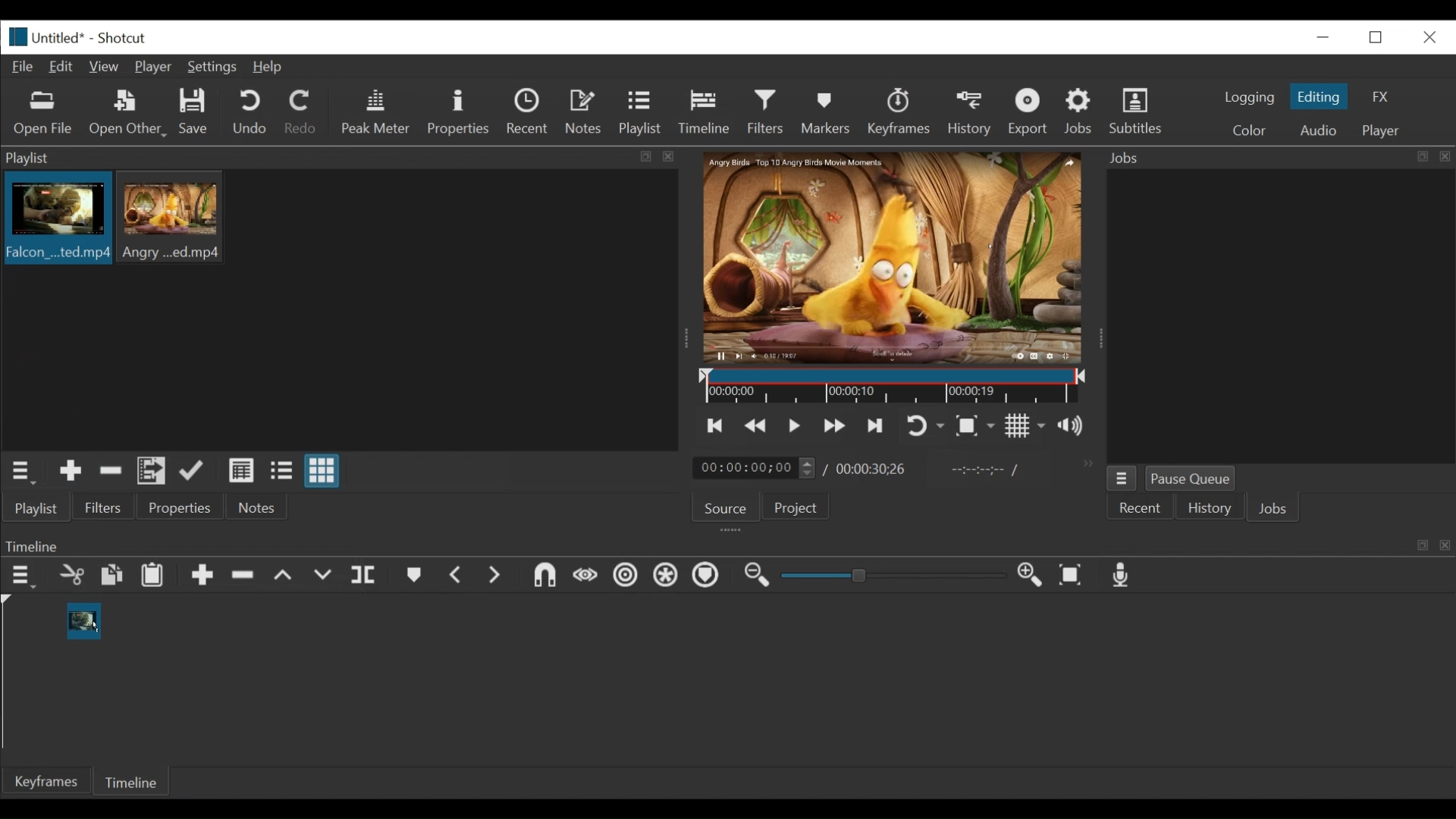 This screenshot has height=819, width=1456. What do you see at coordinates (48, 781) in the screenshot?
I see `Keyframes` at bounding box center [48, 781].